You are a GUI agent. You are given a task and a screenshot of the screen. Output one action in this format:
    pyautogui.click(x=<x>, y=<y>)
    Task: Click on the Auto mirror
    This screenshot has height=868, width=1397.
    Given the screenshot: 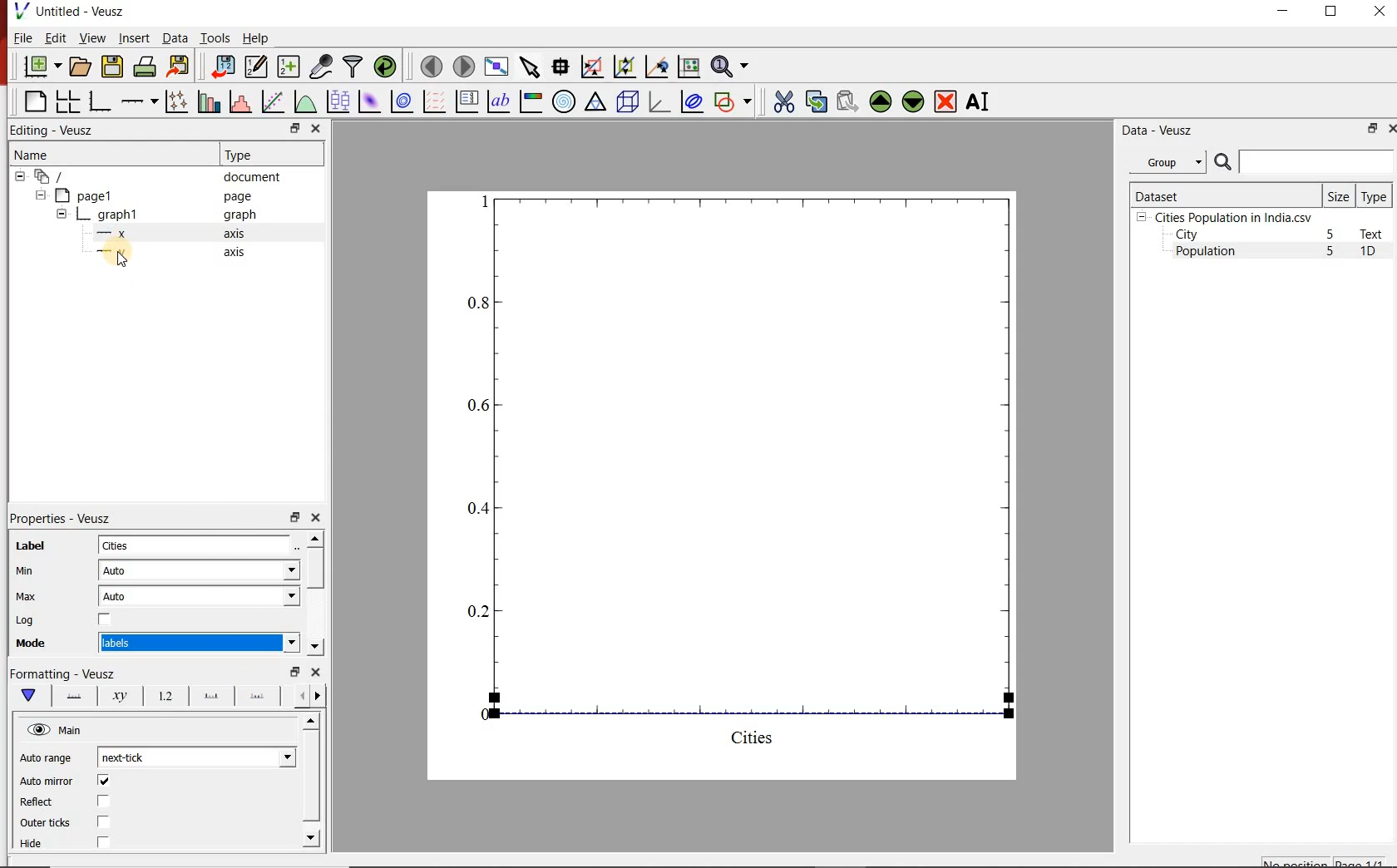 What is the action you would take?
    pyautogui.click(x=48, y=780)
    